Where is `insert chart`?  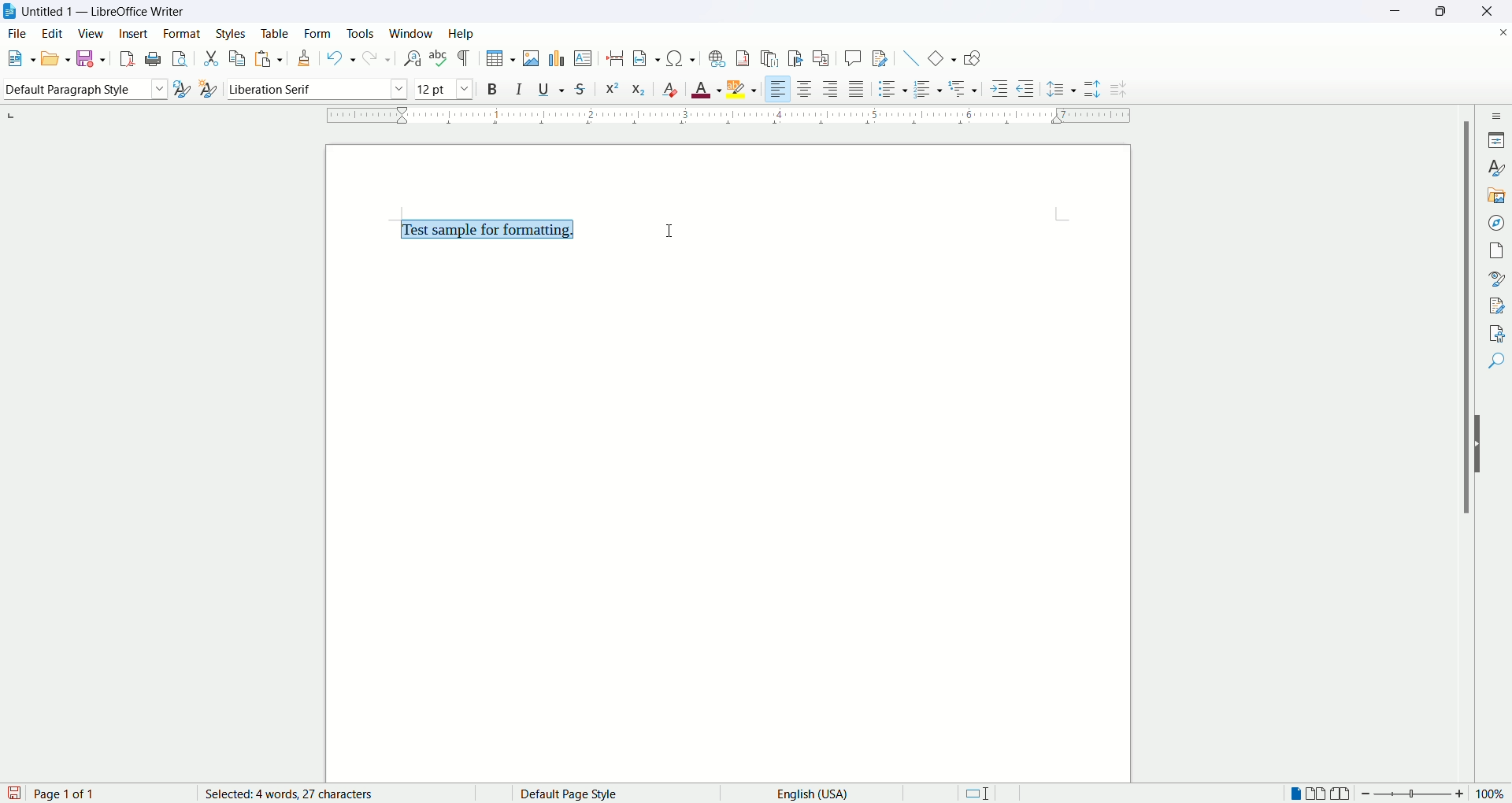 insert chart is located at coordinates (554, 58).